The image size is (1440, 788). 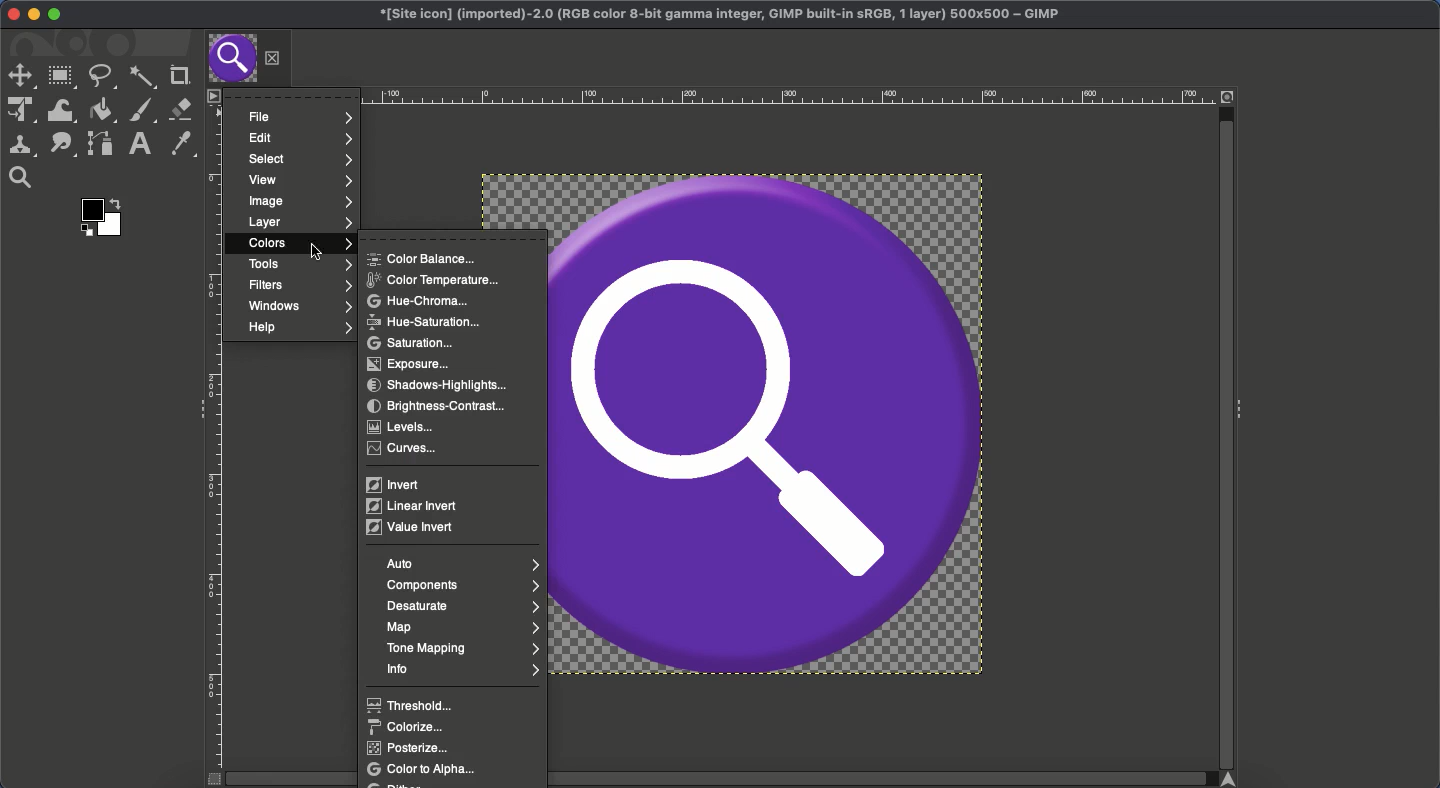 I want to click on Info, so click(x=458, y=670).